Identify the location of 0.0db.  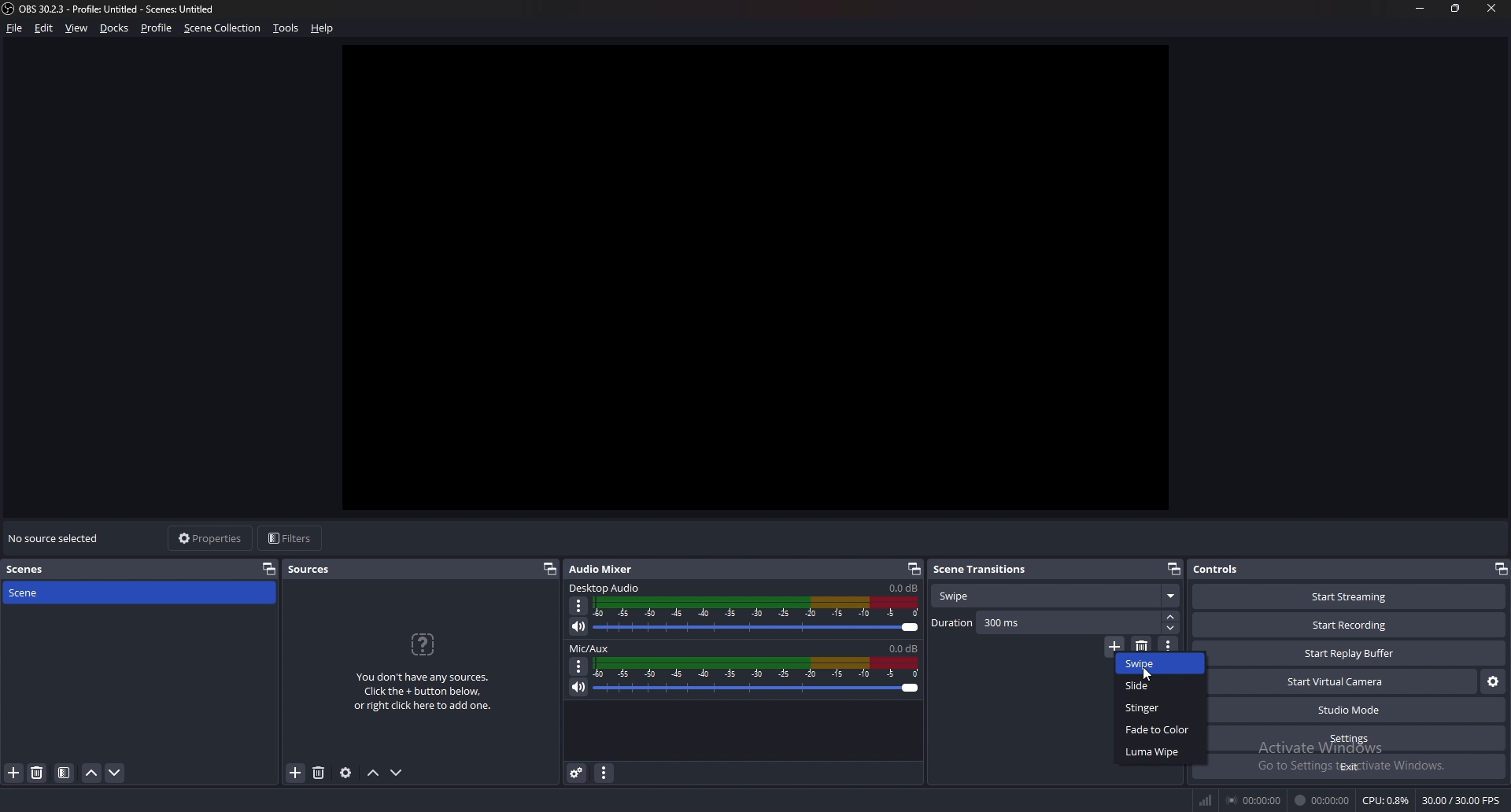
(903, 648).